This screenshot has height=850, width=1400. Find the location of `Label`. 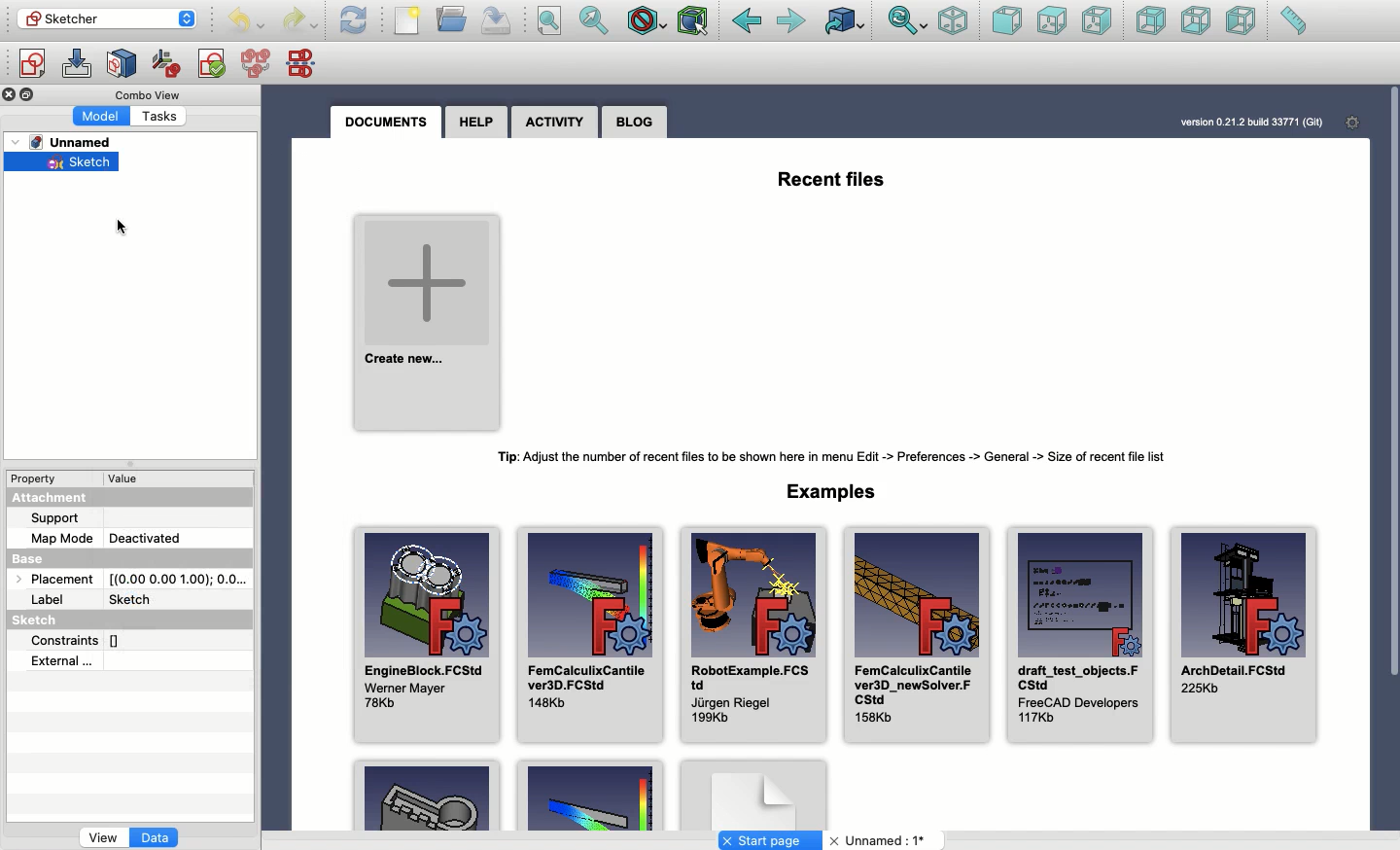

Label is located at coordinates (51, 600).